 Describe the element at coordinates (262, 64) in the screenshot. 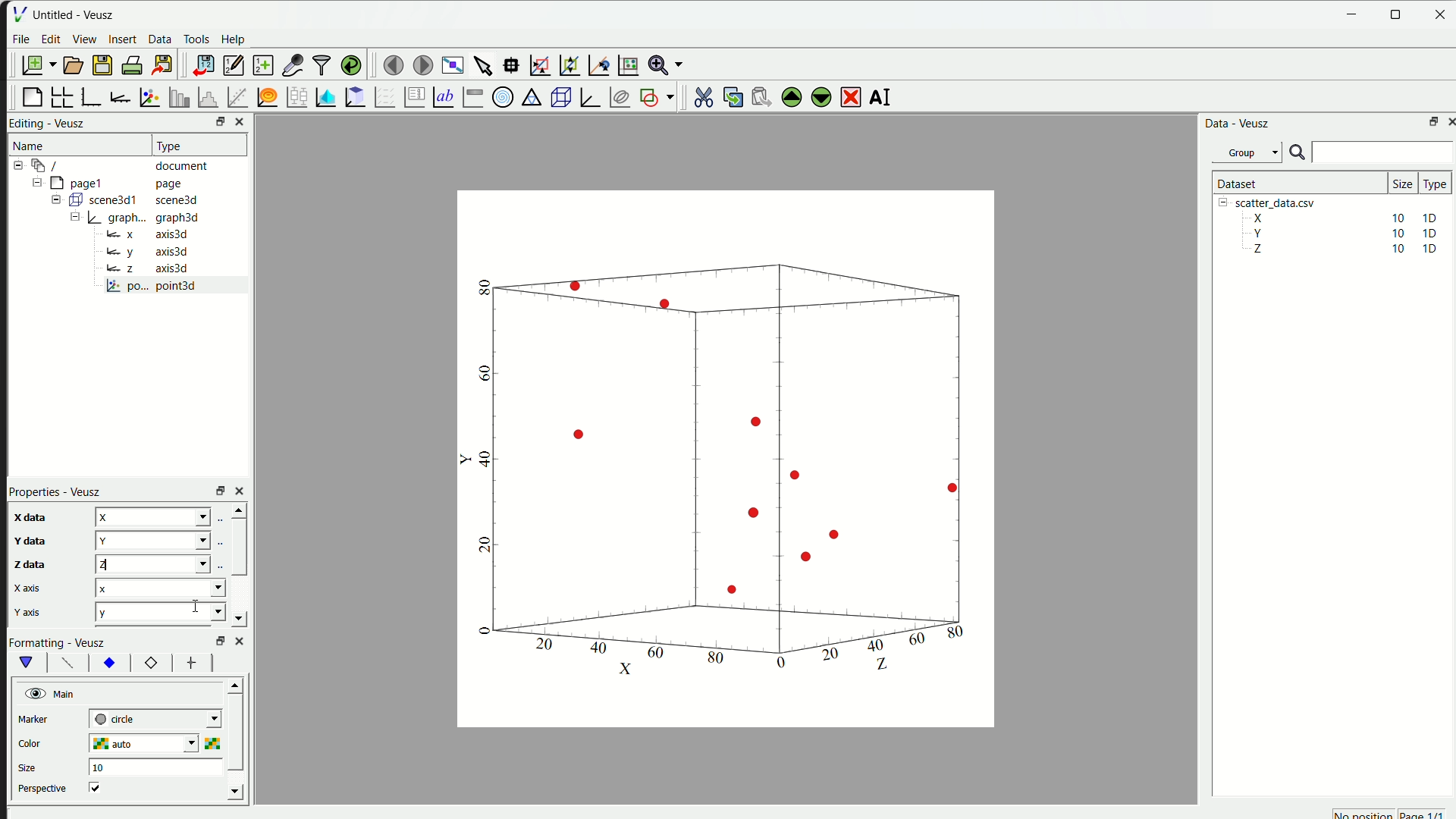

I see `create a new dataset` at that location.